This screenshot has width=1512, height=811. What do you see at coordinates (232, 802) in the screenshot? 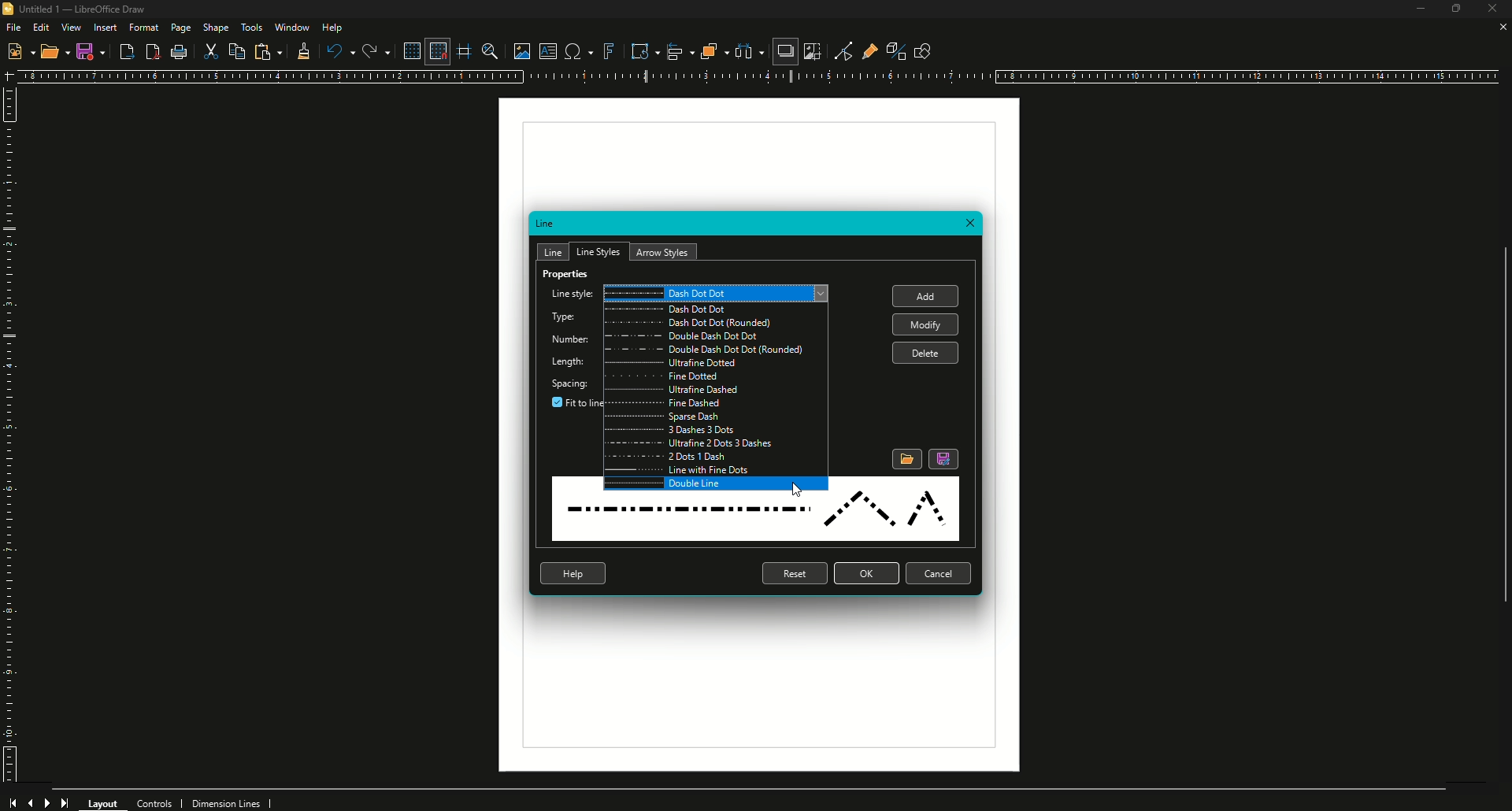
I see `Dimension Lines` at bounding box center [232, 802].